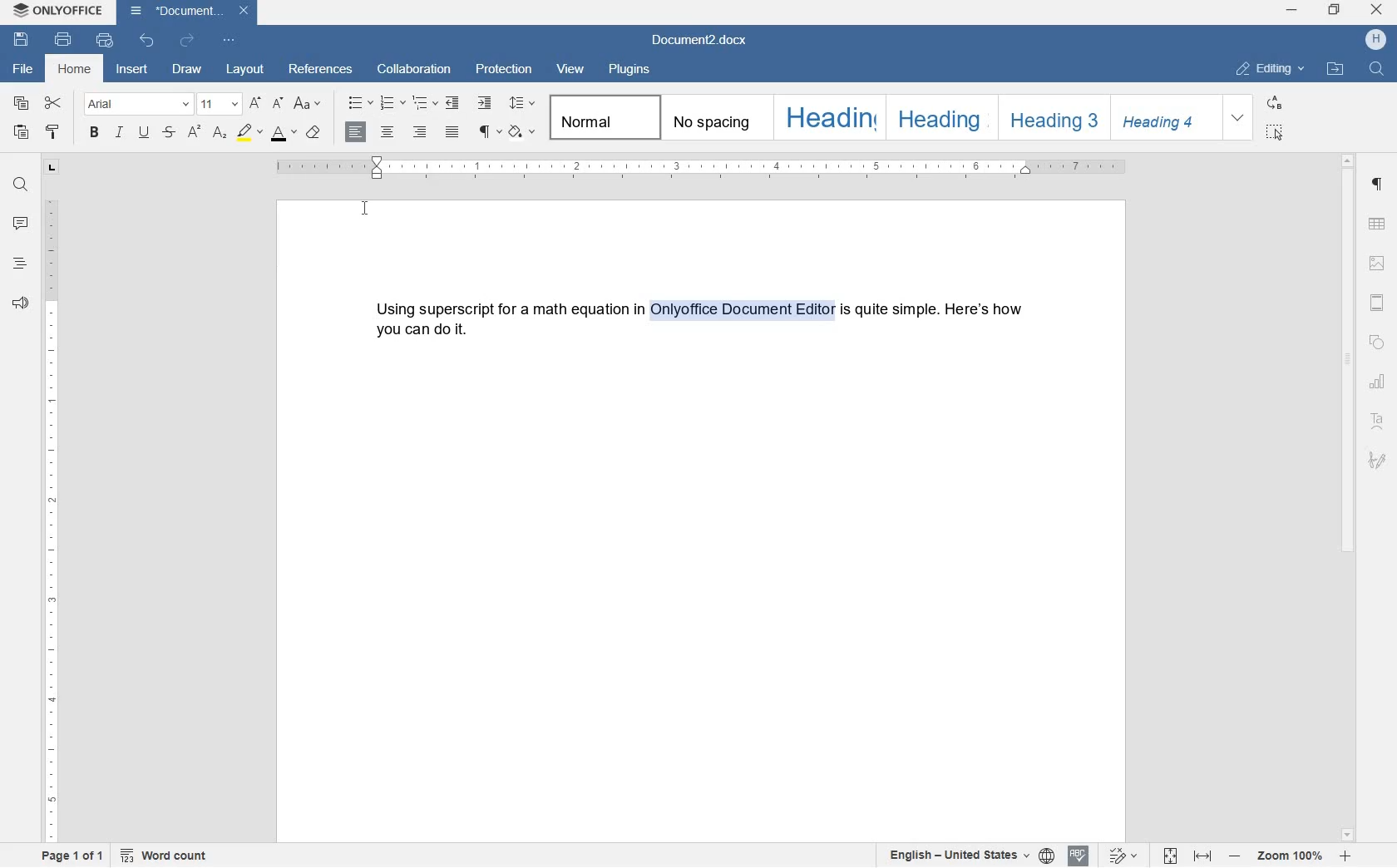  Describe the element at coordinates (521, 102) in the screenshot. I see `paragraph line spacing` at that location.